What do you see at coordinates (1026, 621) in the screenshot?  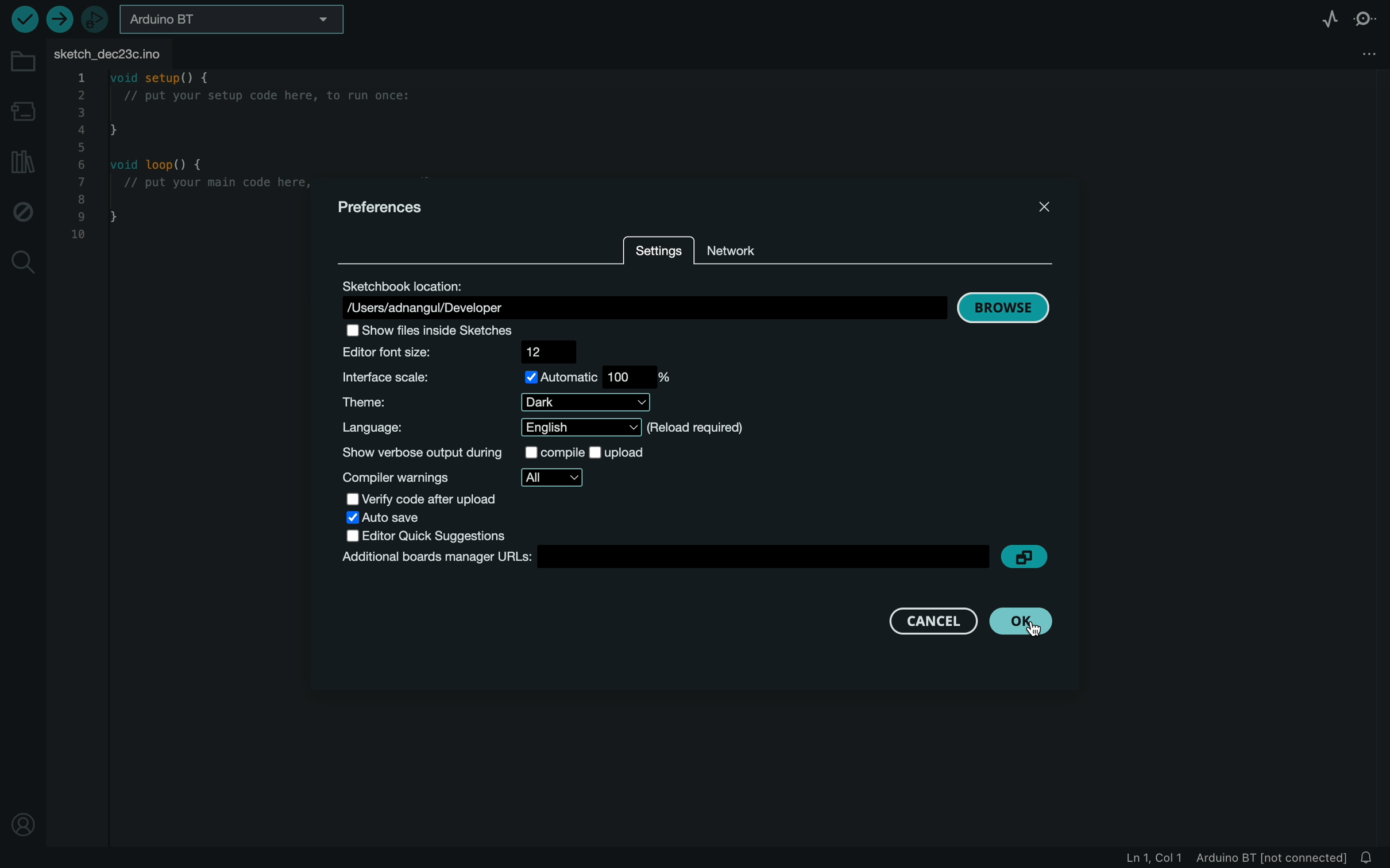 I see `ok ` at bounding box center [1026, 621].